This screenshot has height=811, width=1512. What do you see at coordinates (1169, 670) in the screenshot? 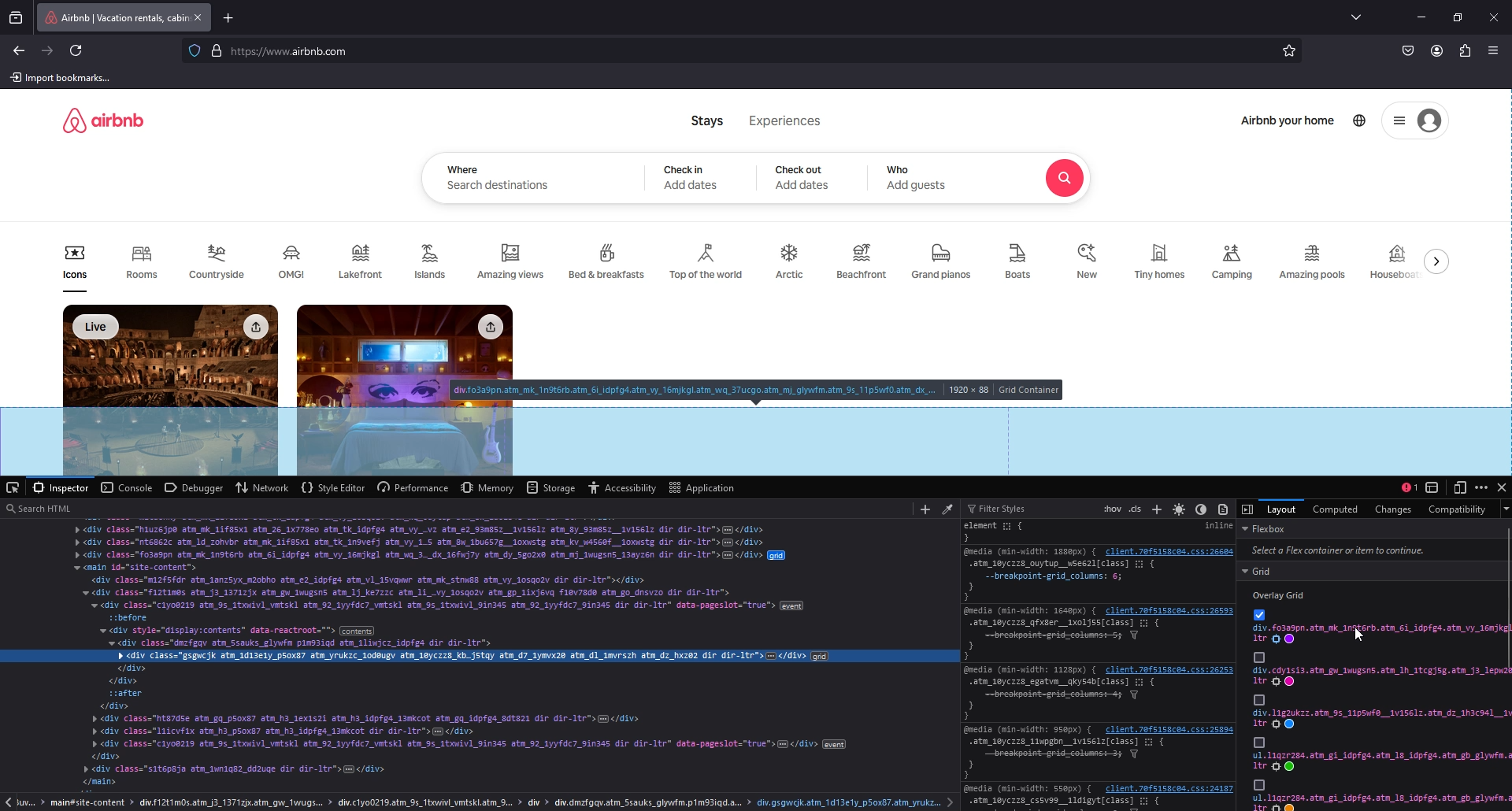
I see `link` at bounding box center [1169, 670].